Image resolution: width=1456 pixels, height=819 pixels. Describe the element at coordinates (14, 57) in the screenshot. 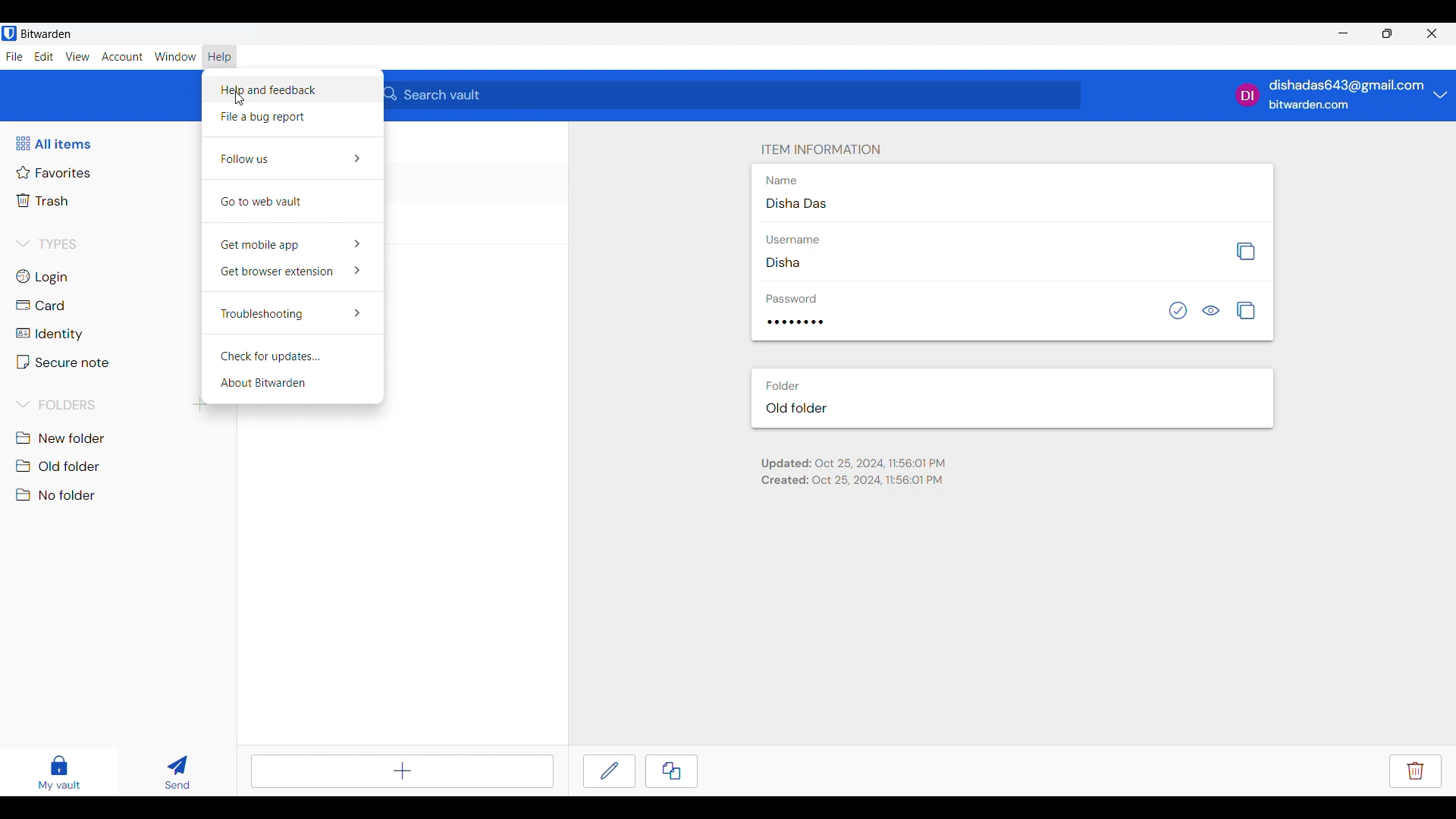

I see `File menu` at that location.